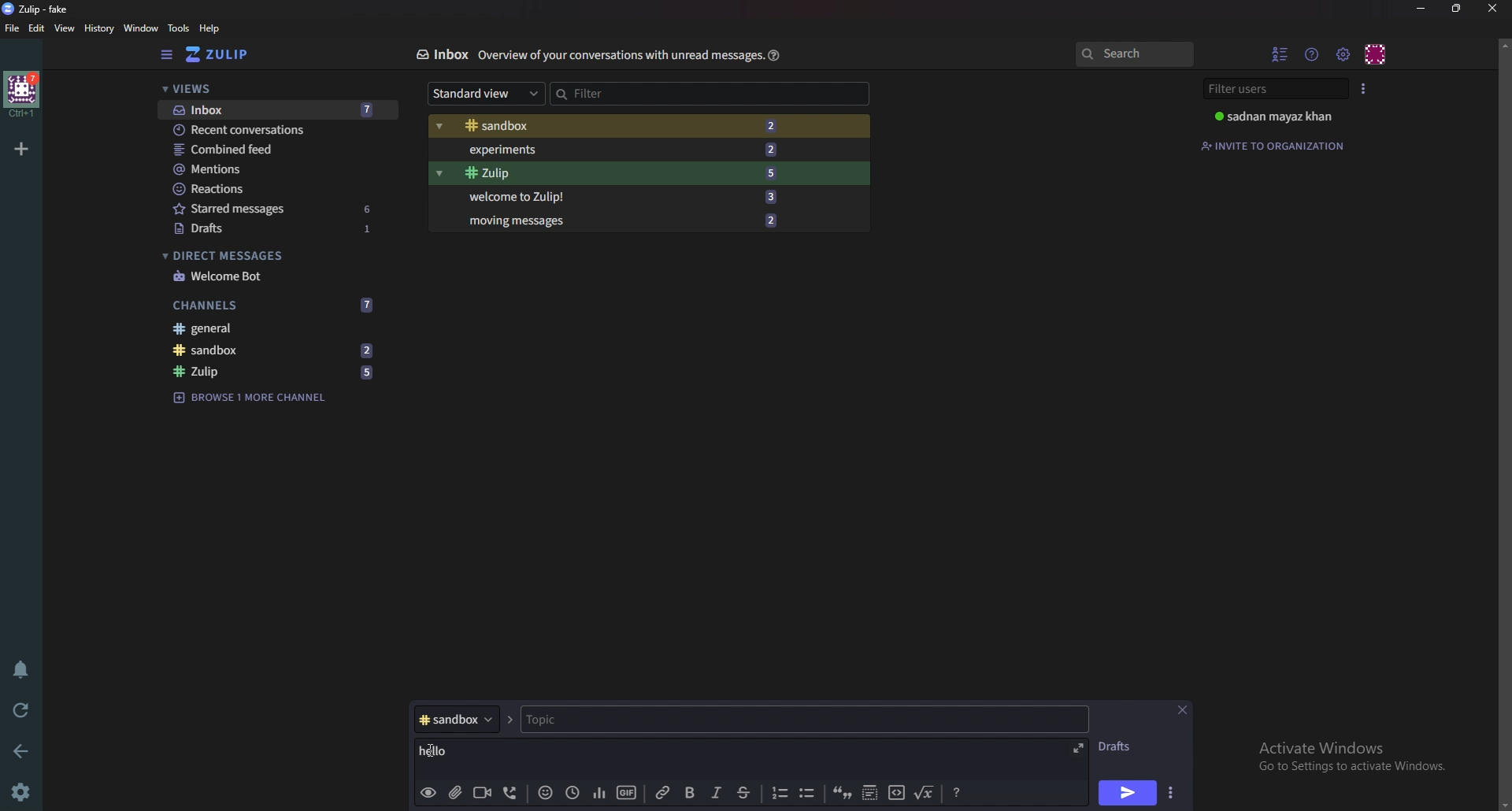 The height and width of the screenshot is (811, 1512). Describe the element at coordinates (37, 28) in the screenshot. I see `Edit` at that location.